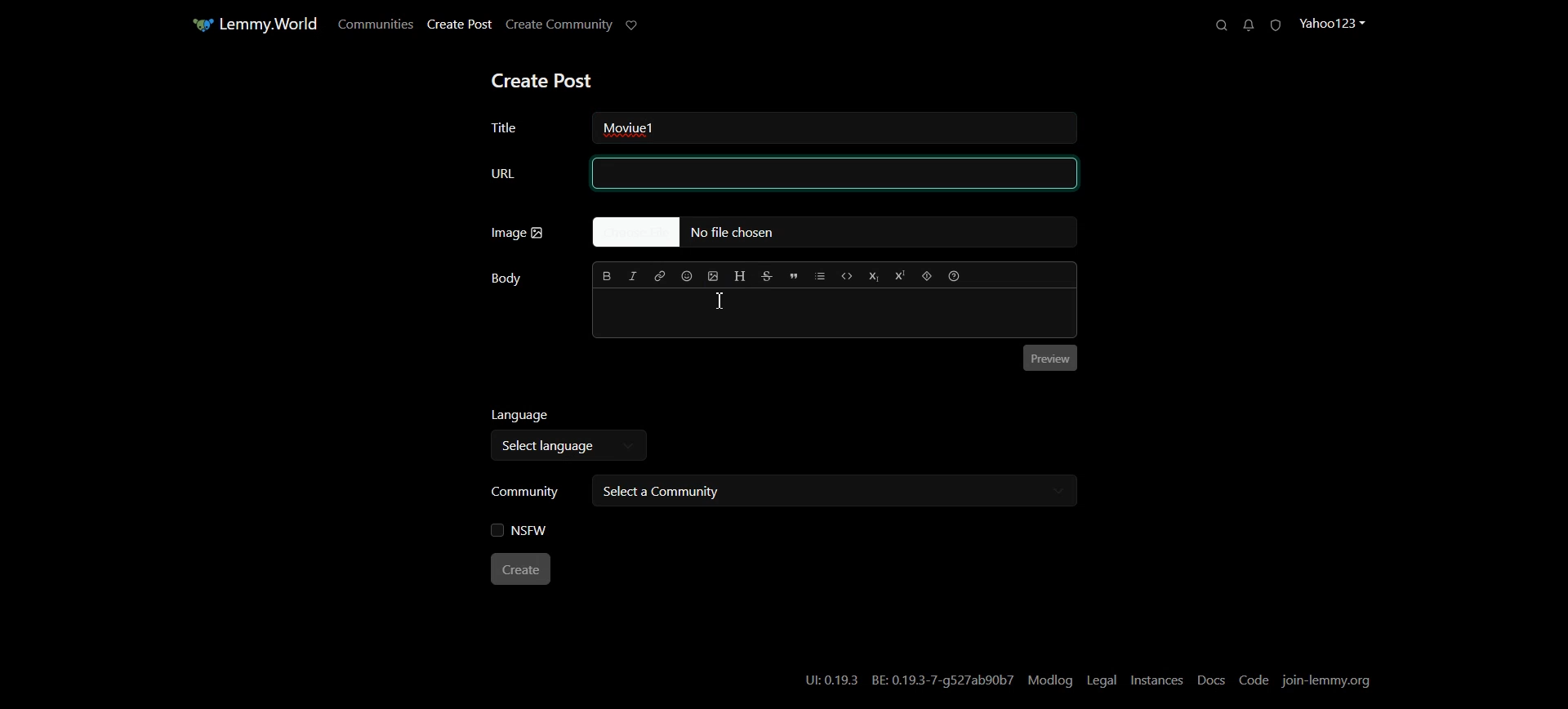  What do you see at coordinates (636, 26) in the screenshot?
I see `Support Limmy` at bounding box center [636, 26].